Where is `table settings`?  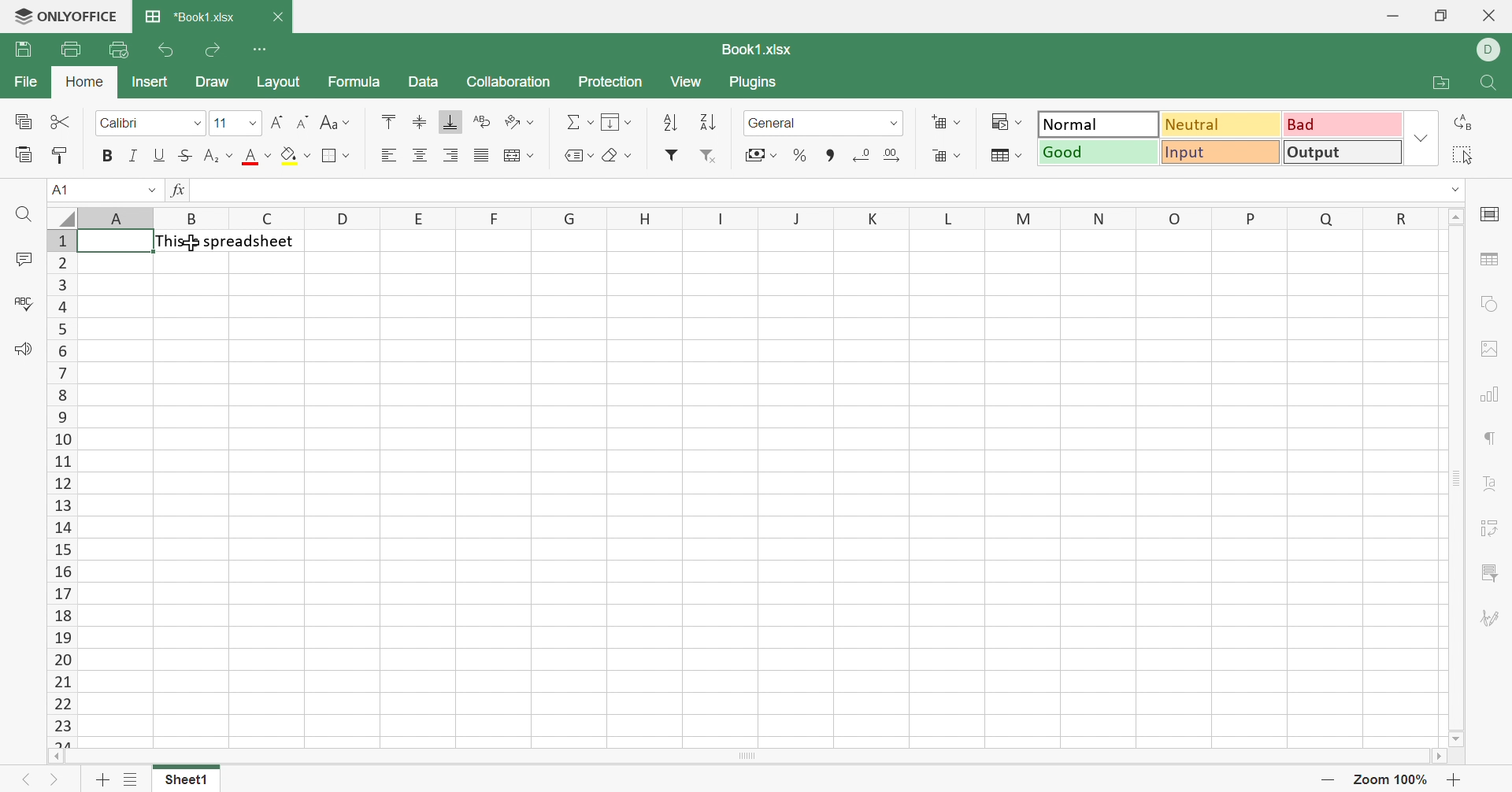 table settings is located at coordinates (1493, 261).